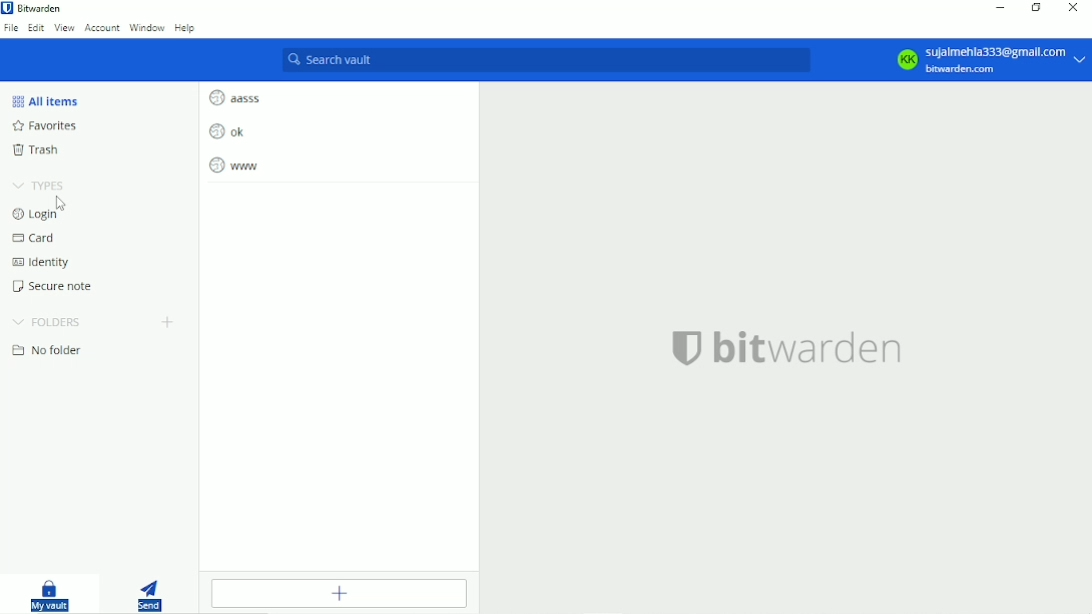 The height and width of the screenshot is (614, 1092). Describe the element at coordinates (1074, 9) in the screenshot. I see `Close` at that location.